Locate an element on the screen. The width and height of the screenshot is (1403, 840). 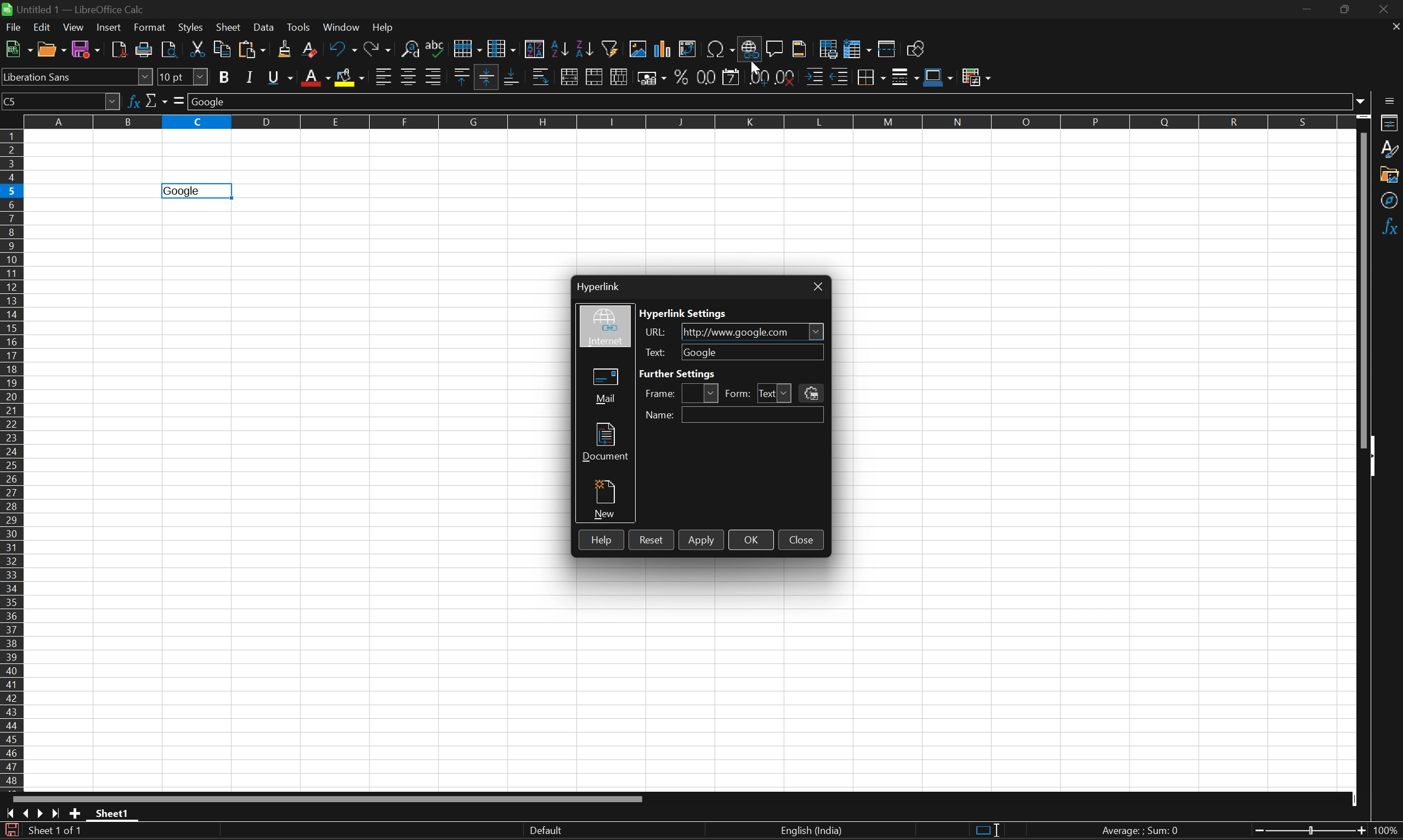
Underline is located at coordinates (282, 76).